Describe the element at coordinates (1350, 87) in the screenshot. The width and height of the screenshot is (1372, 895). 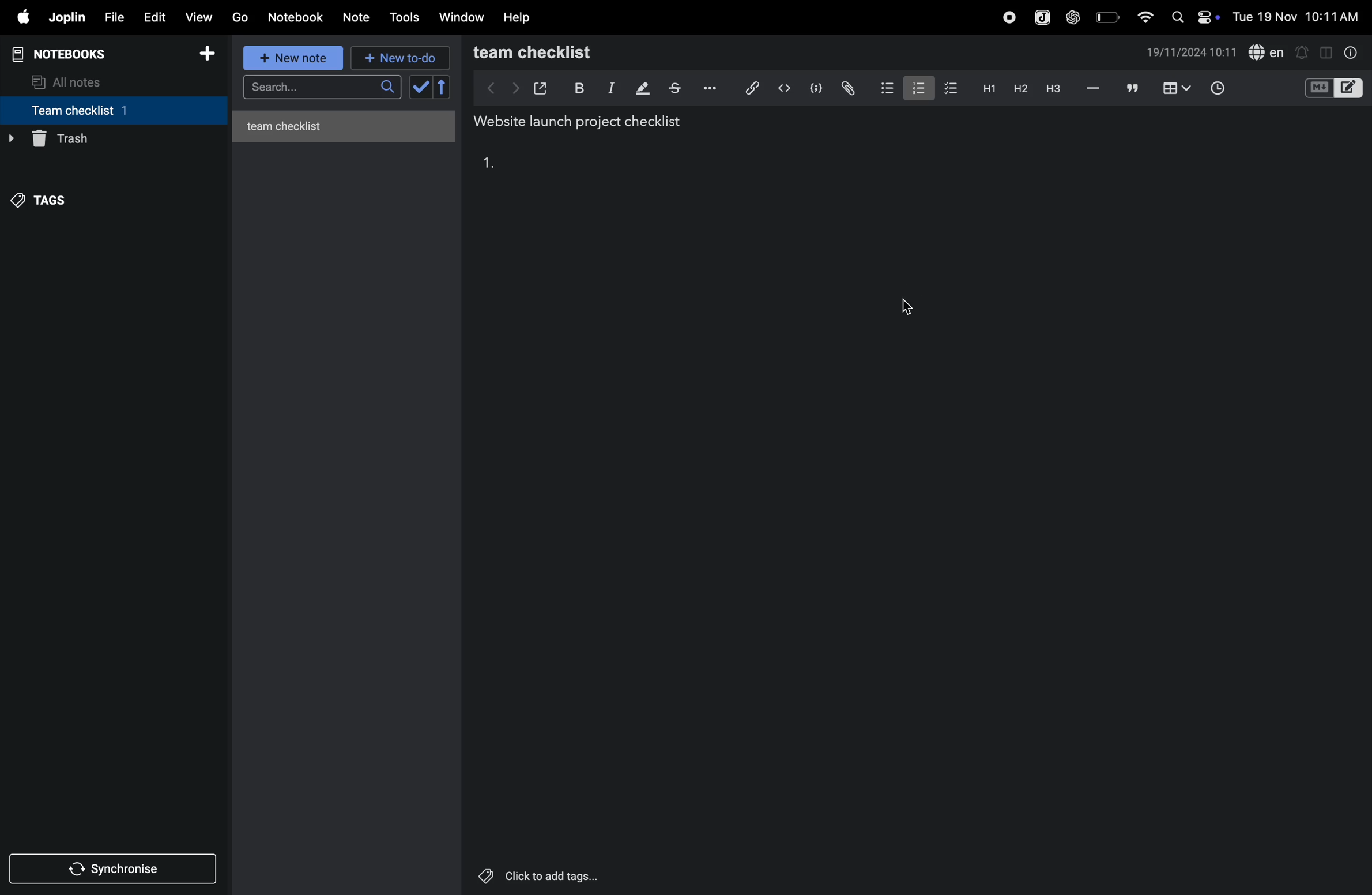
I see `editor layout` at that location.